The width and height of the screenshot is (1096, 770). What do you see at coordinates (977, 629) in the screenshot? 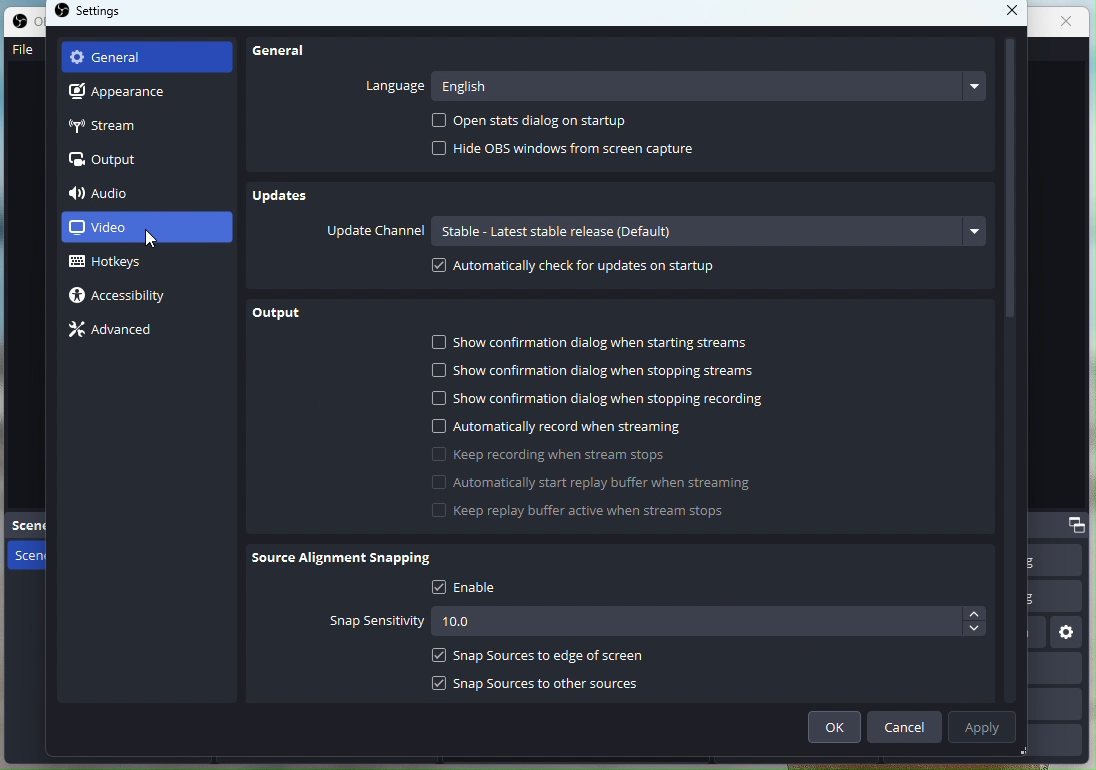
I see `Decrease` at bounding box center [977, 629].